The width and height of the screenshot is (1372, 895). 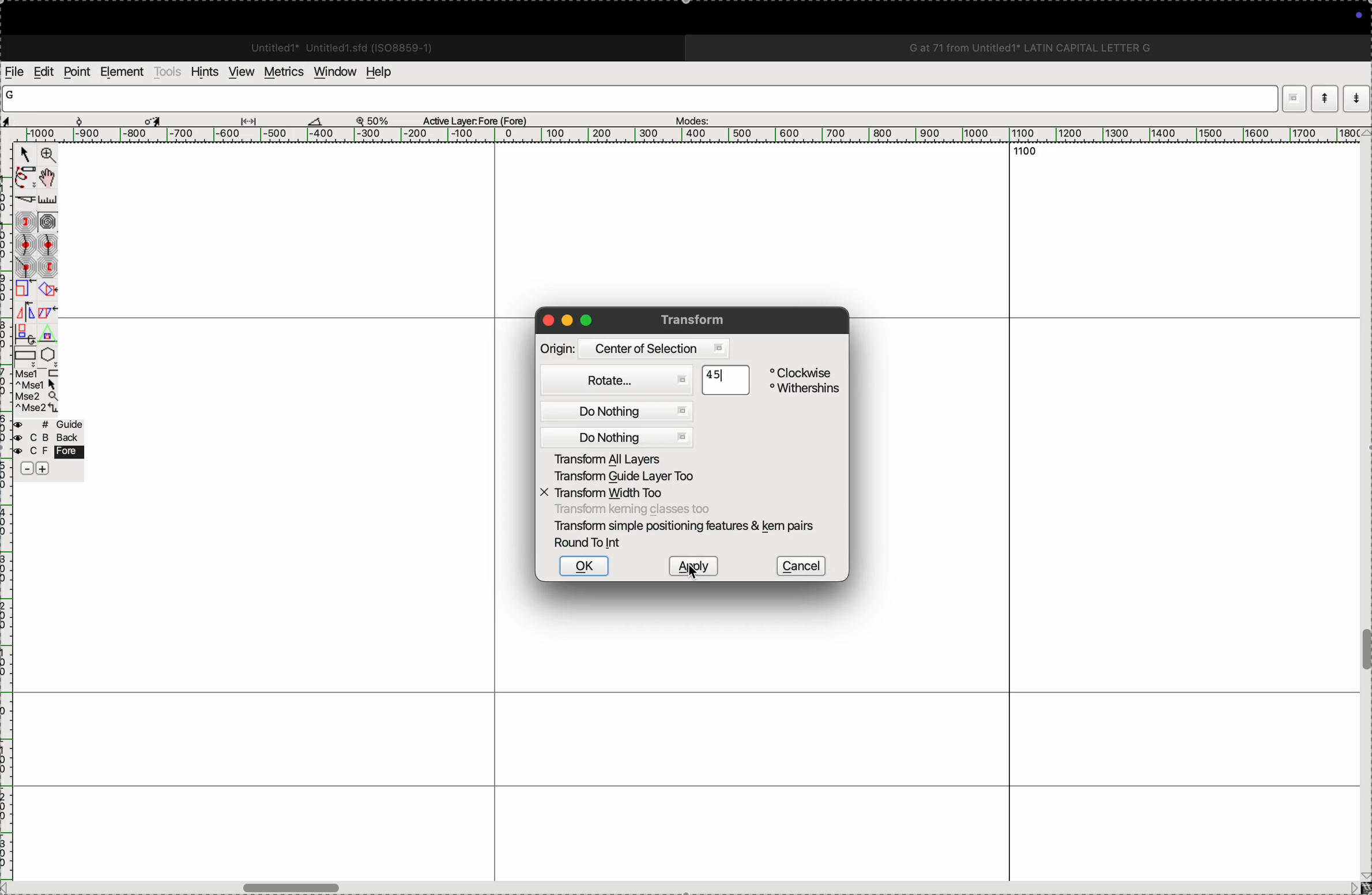 What do you see at coordinates (545, 320) in the screenshot?
I see `close` at bounding box center [545, 320].